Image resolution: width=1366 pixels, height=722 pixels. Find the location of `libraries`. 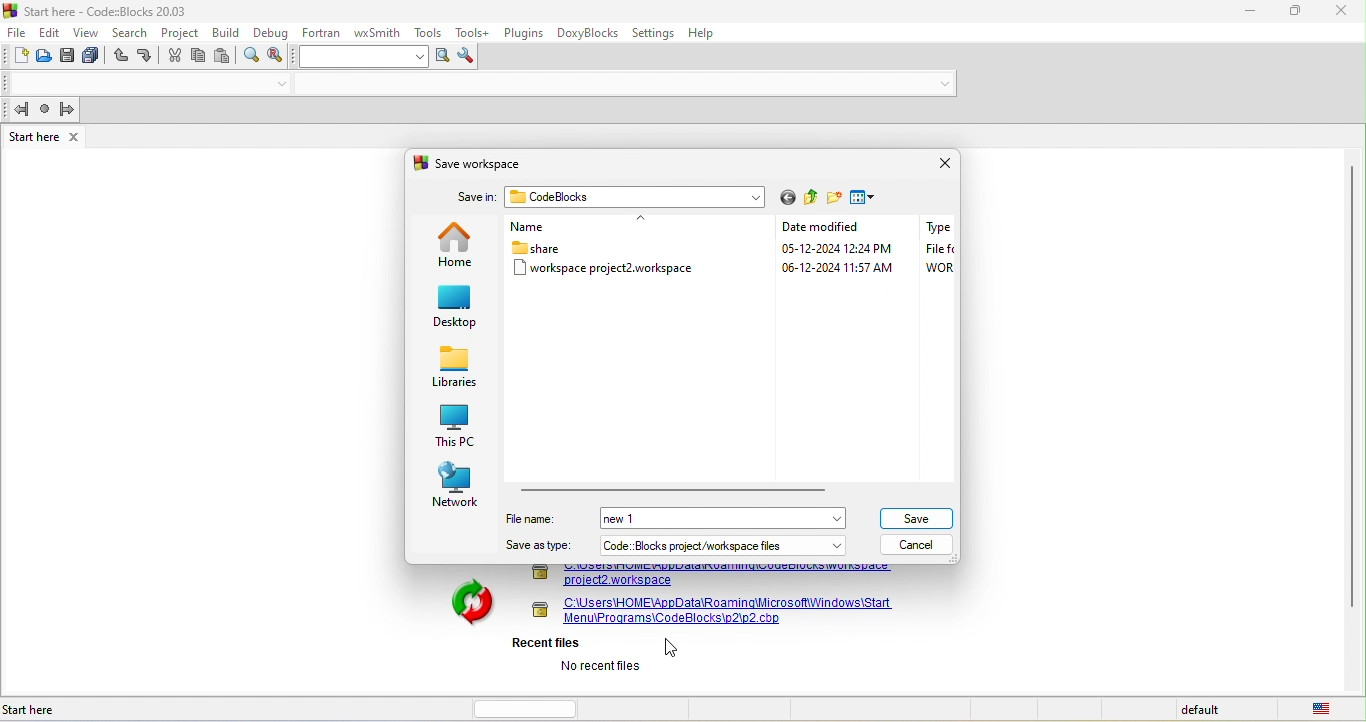

libraries is located at coordinates (455, 369).